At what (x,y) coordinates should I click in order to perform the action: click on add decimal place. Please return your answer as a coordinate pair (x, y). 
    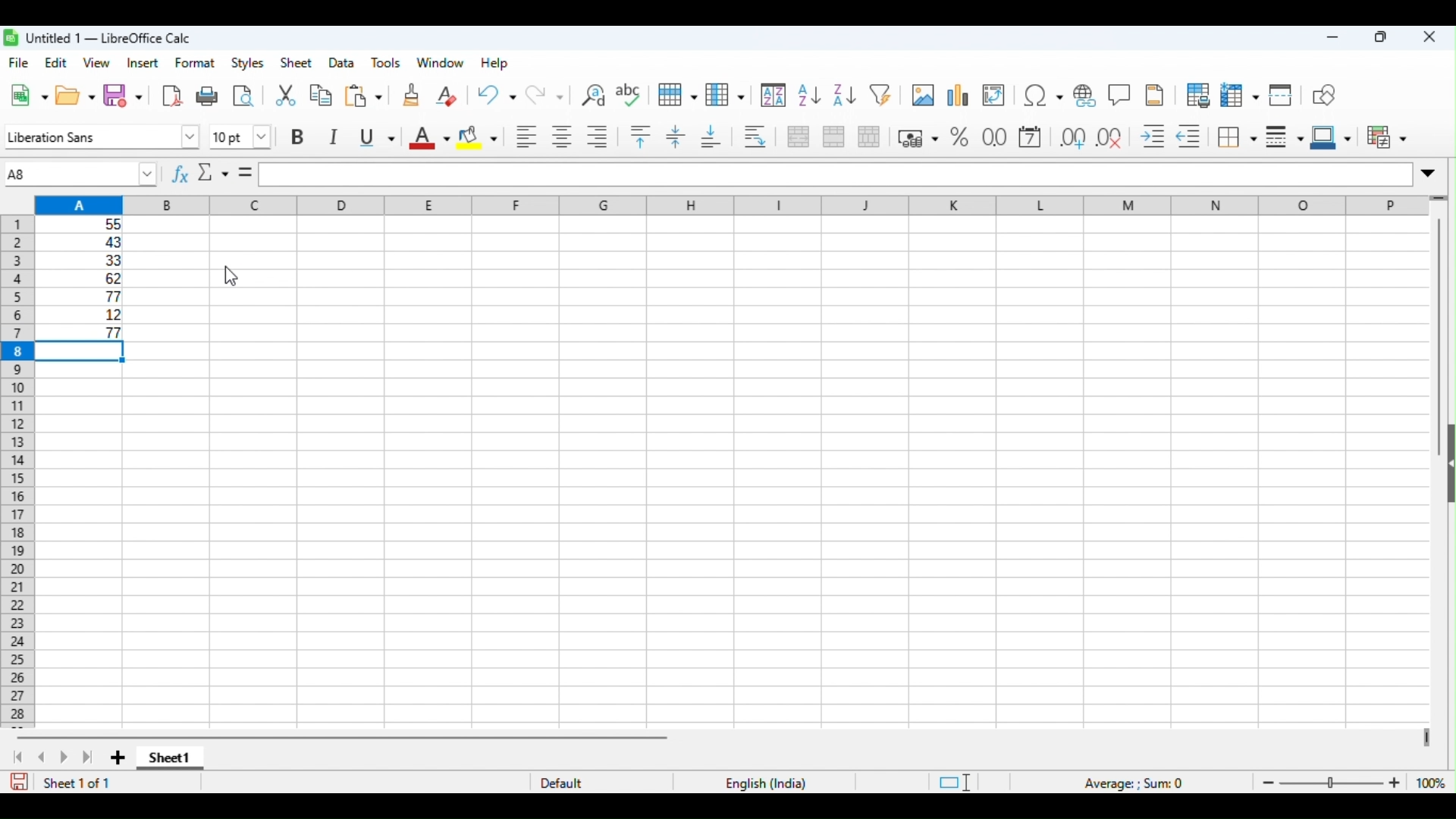
    Looking at the image, I should click on (1070, 137).